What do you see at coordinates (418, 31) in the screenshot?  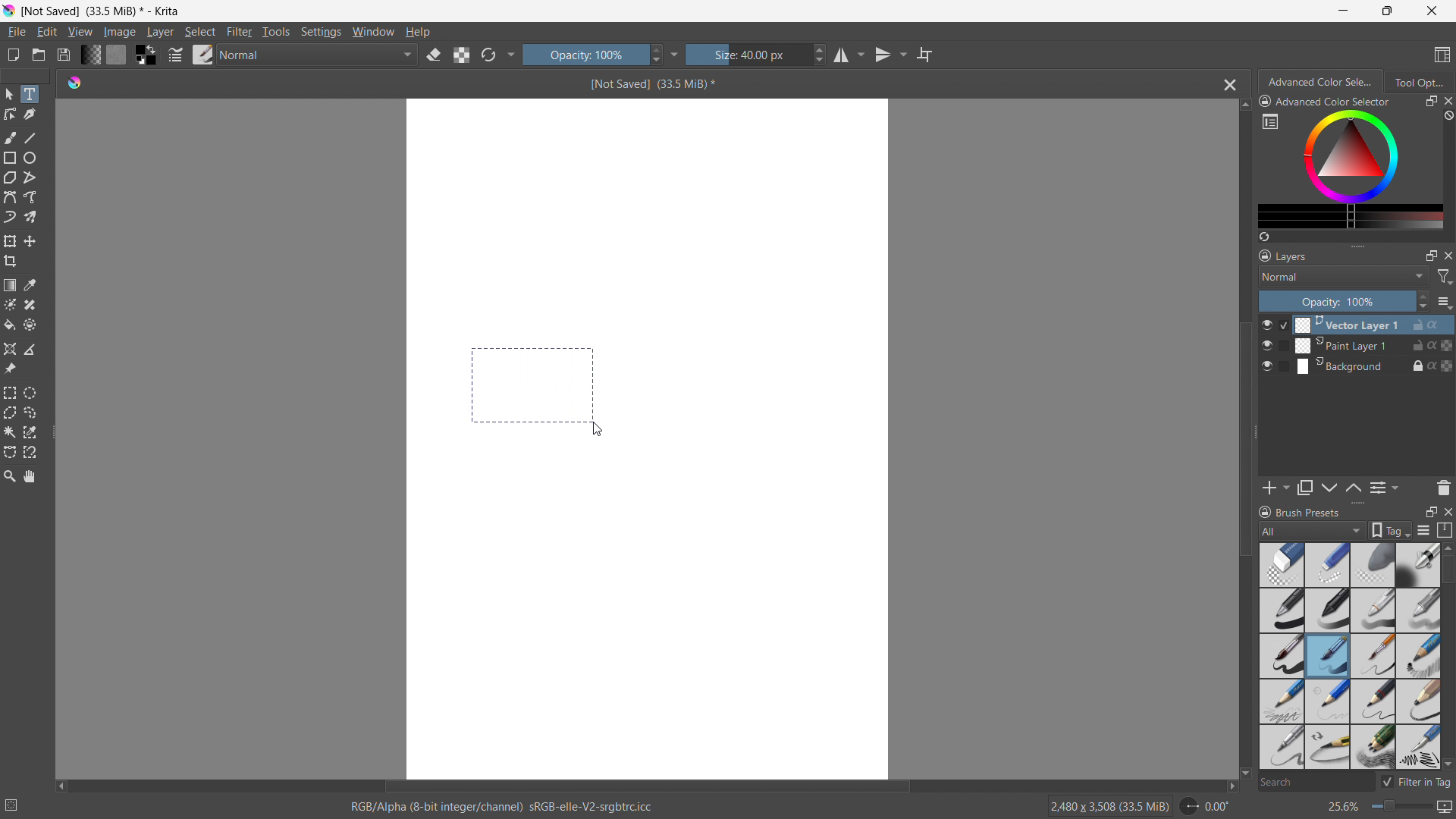 I see `help` at bounding box center [418, 31].